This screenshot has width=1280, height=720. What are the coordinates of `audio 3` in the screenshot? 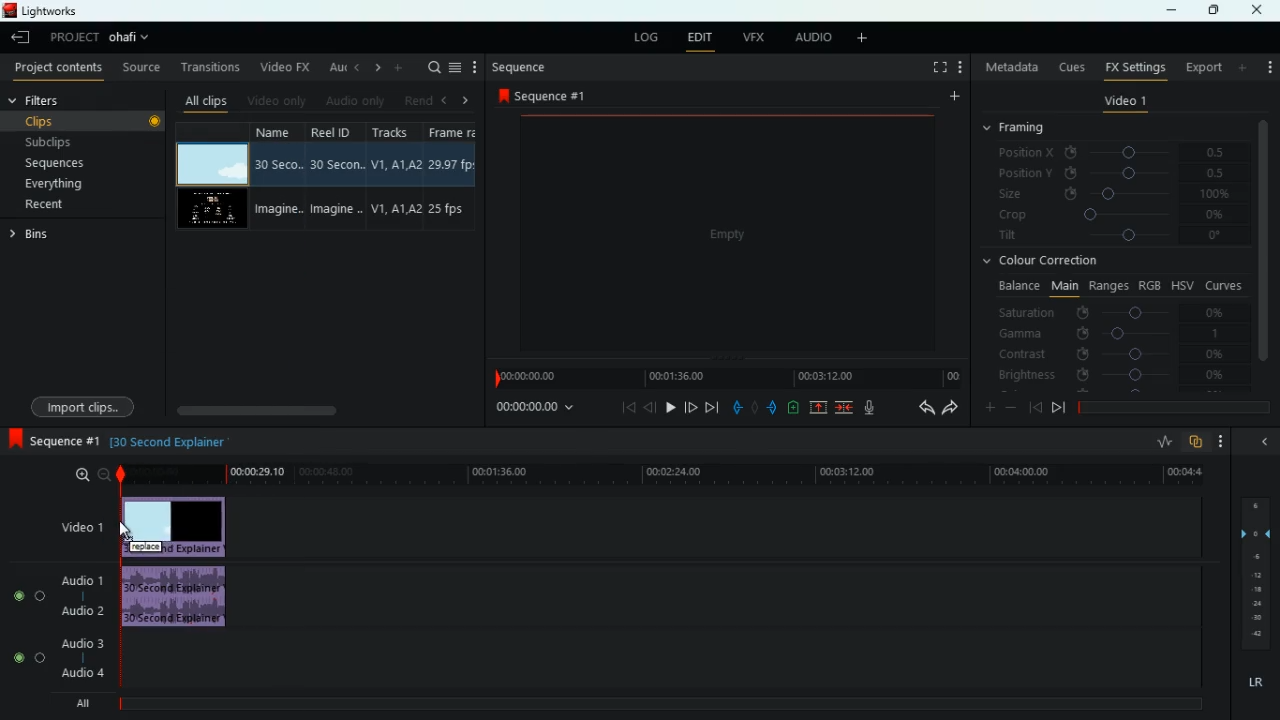 It's located at (77, 642).